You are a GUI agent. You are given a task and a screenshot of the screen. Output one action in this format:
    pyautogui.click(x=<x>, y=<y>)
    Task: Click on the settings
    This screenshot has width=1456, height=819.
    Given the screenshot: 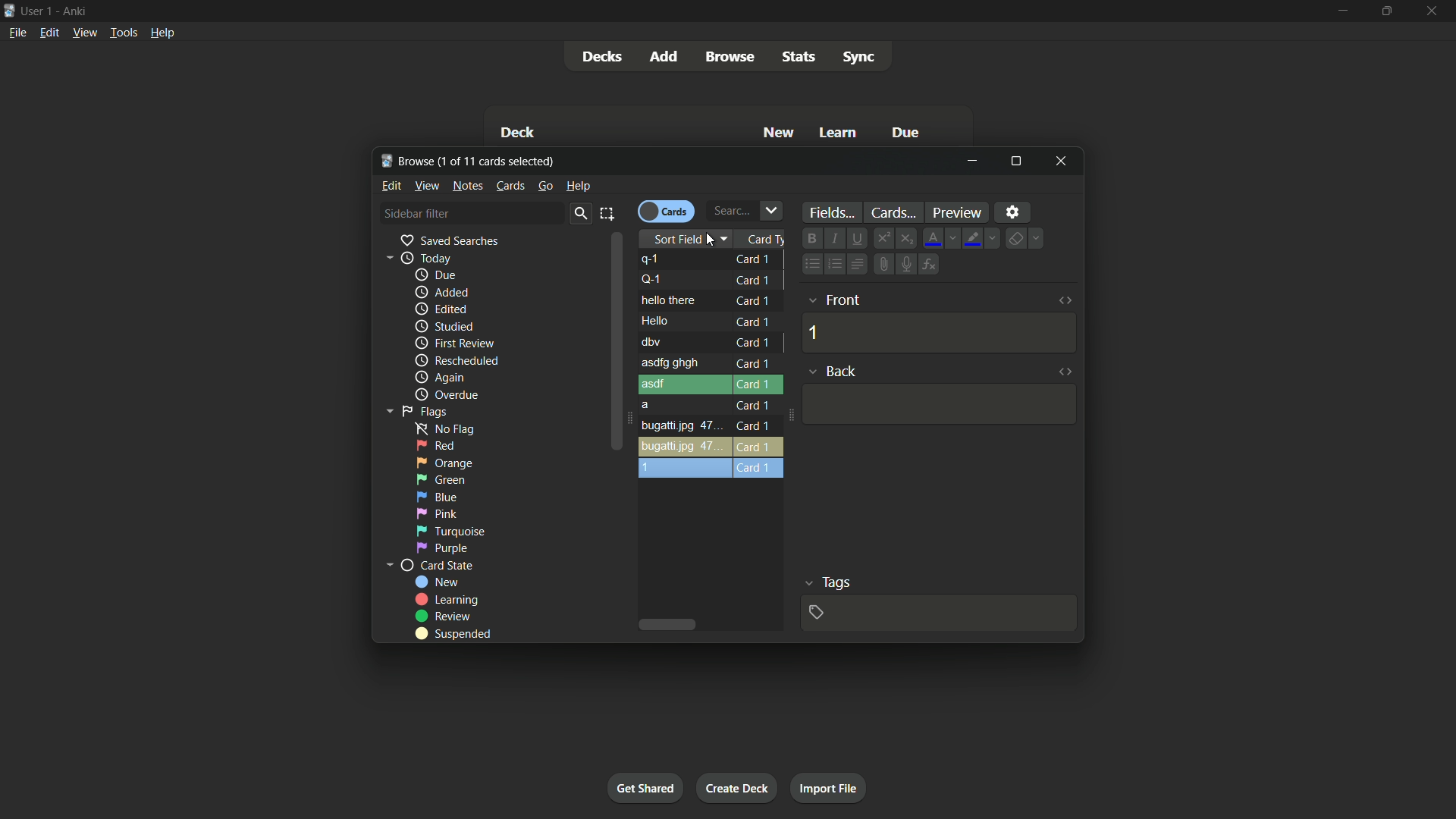 What is the action you would take?
    pyautogui.click(x=1012, y=212)
    